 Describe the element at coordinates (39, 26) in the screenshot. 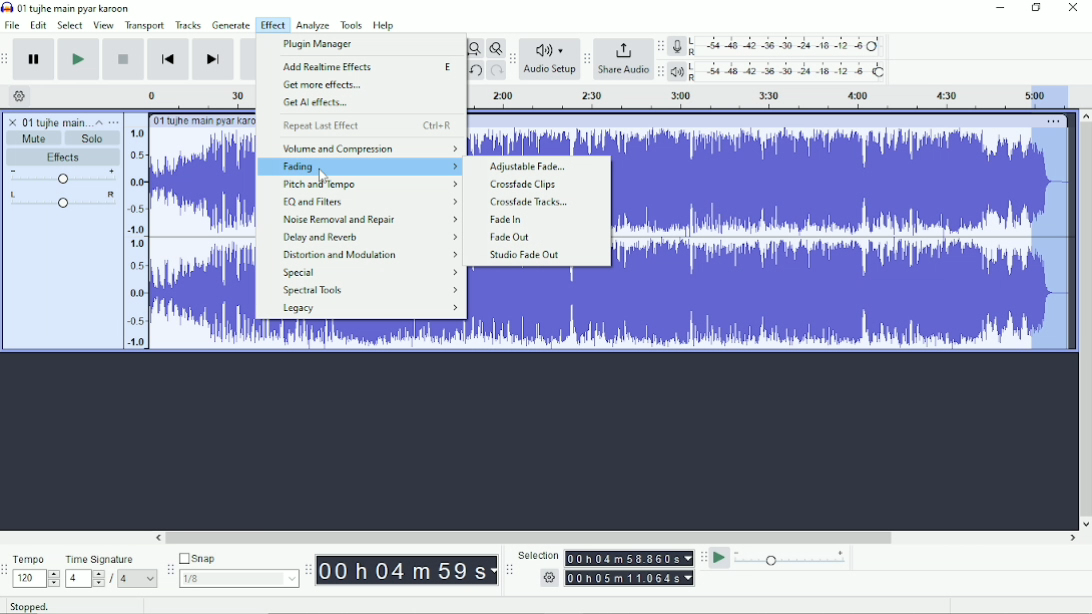

I see `Edit` at that location.